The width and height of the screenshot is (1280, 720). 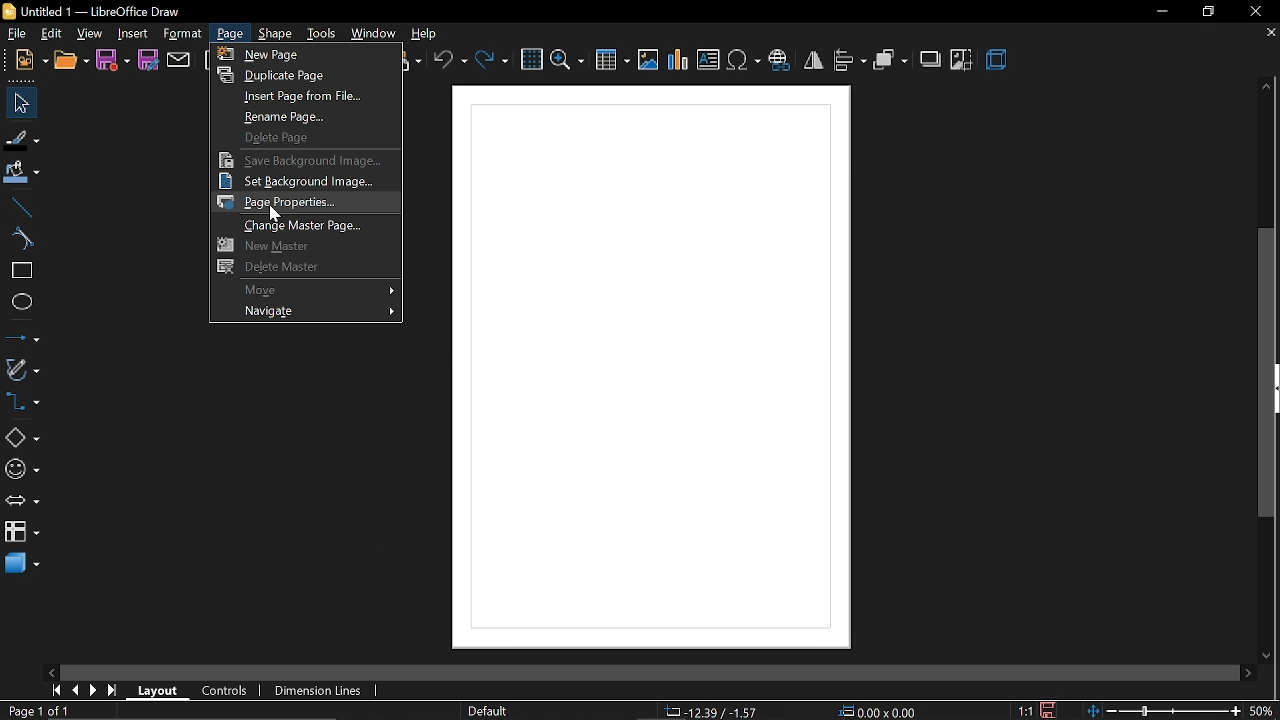 What do you see at coordinates (744, 60) in the screenshot?
I see `insert symbol` at bounding box center [744, 60].